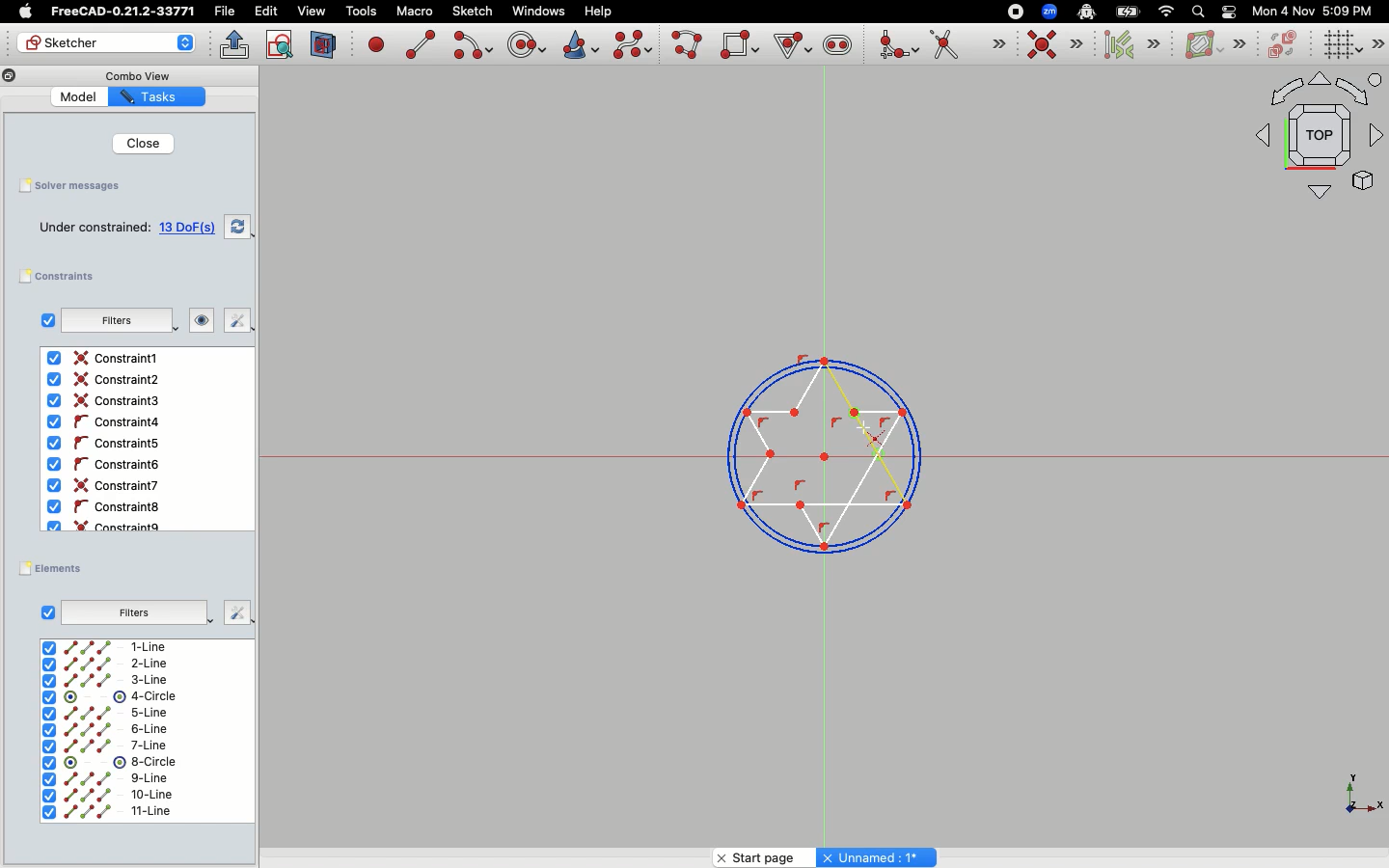  What do you see at coordinates (876, 854) in the screenshot?
I see `Unnamed : 1` at bounding box center [876, 854].